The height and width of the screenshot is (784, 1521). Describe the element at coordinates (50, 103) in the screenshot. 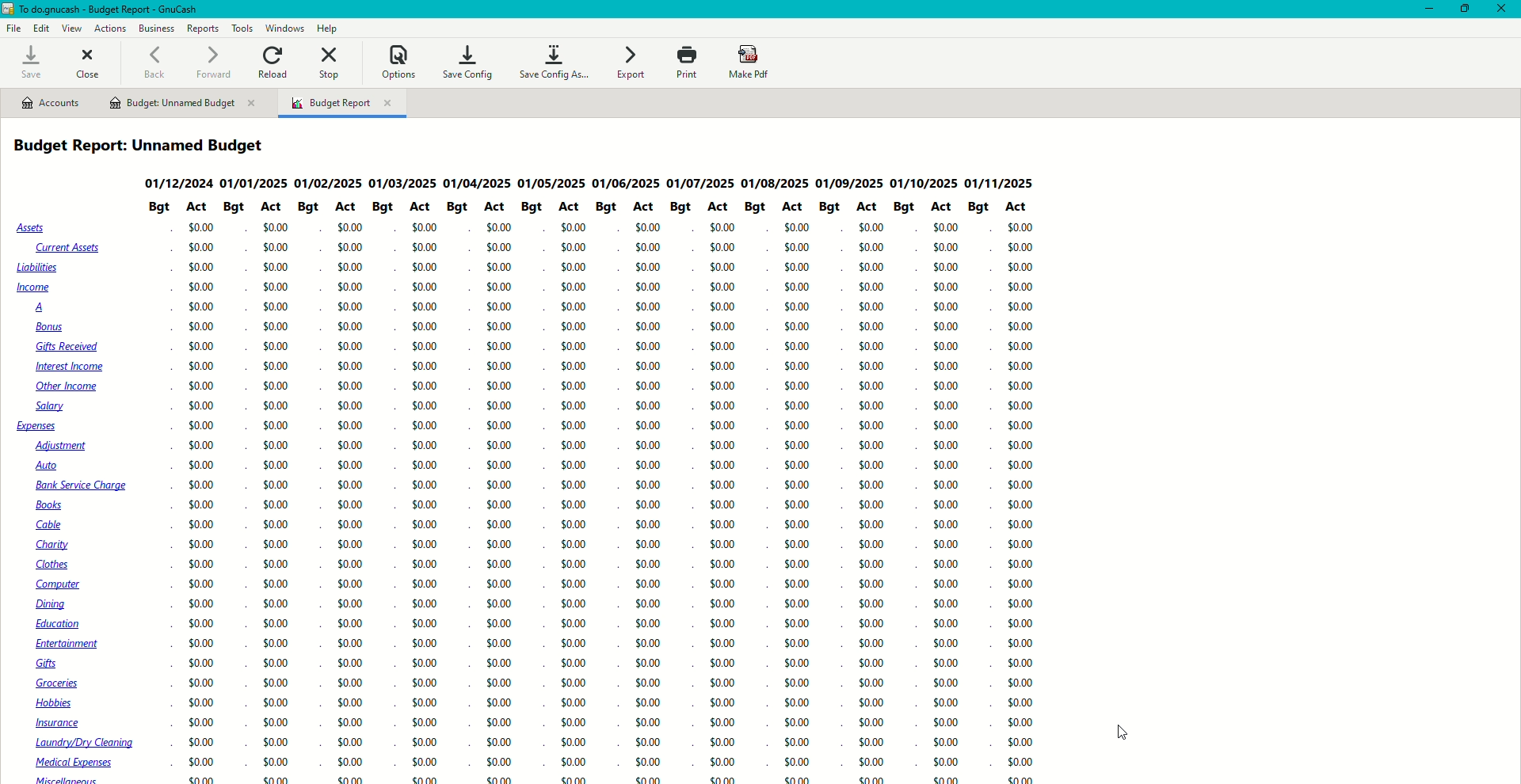

I see `Accounts` at that location.